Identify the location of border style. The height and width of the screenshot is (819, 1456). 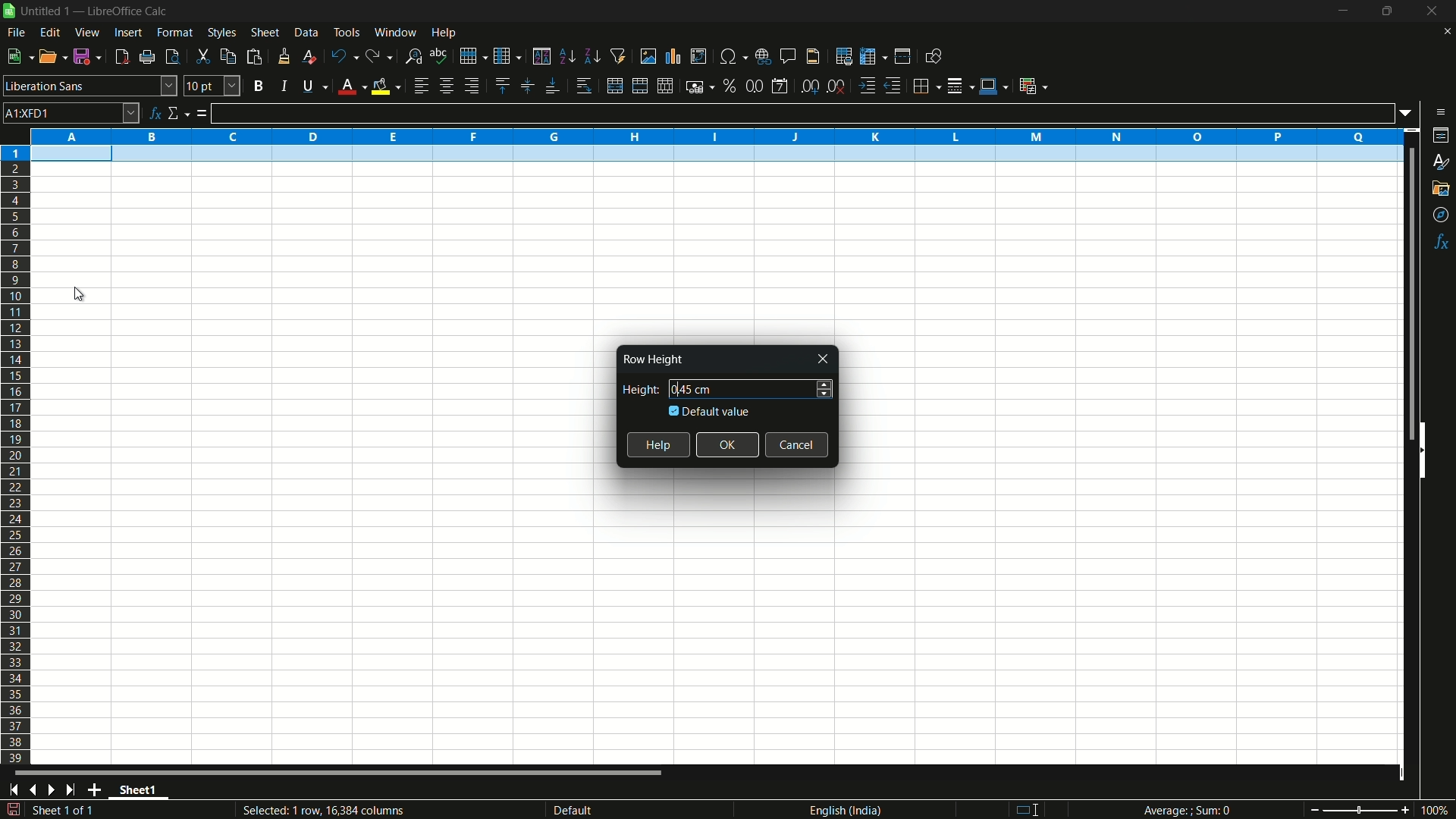
(962, 84).